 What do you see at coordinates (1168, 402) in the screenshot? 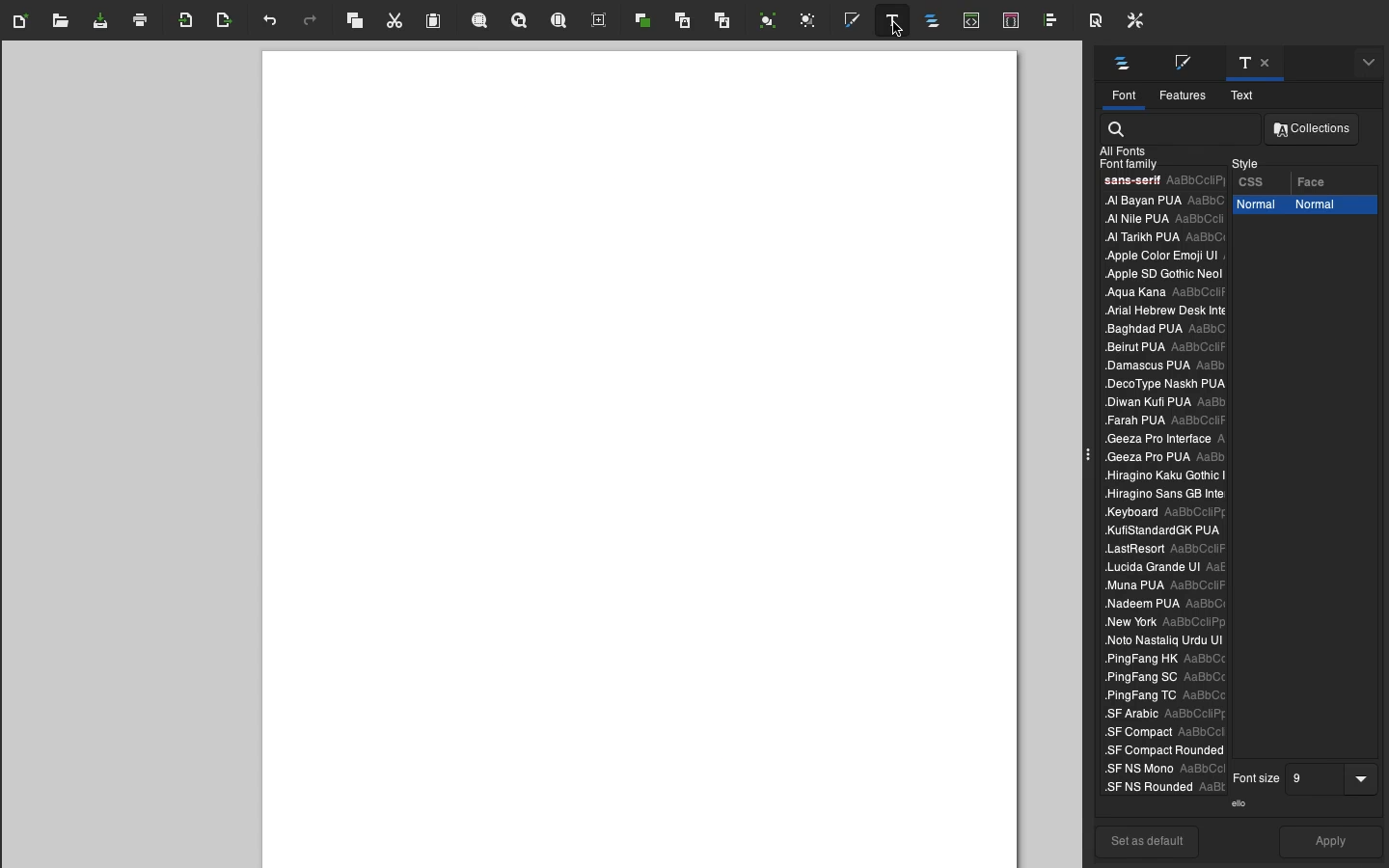
I see `.Diwan Kuli PUA` at bounding box center [1168, 402].